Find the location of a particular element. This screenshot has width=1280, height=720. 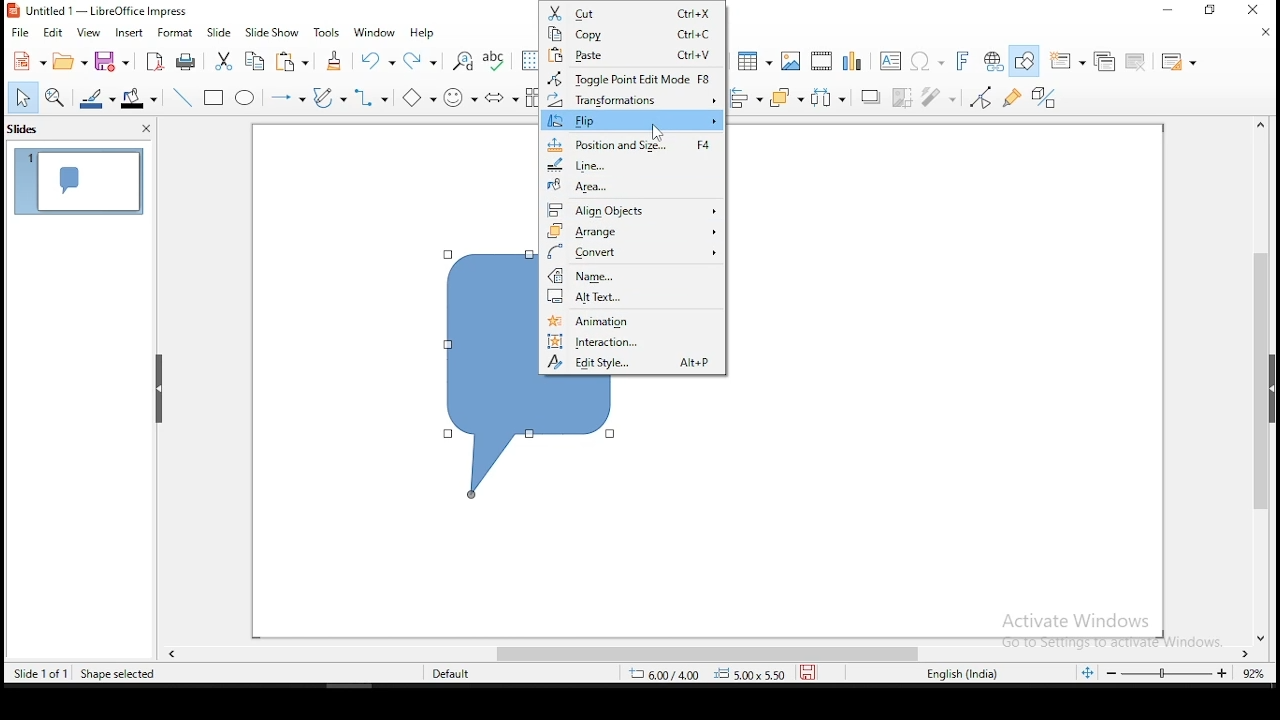

open is located at coordinates (69, 61).